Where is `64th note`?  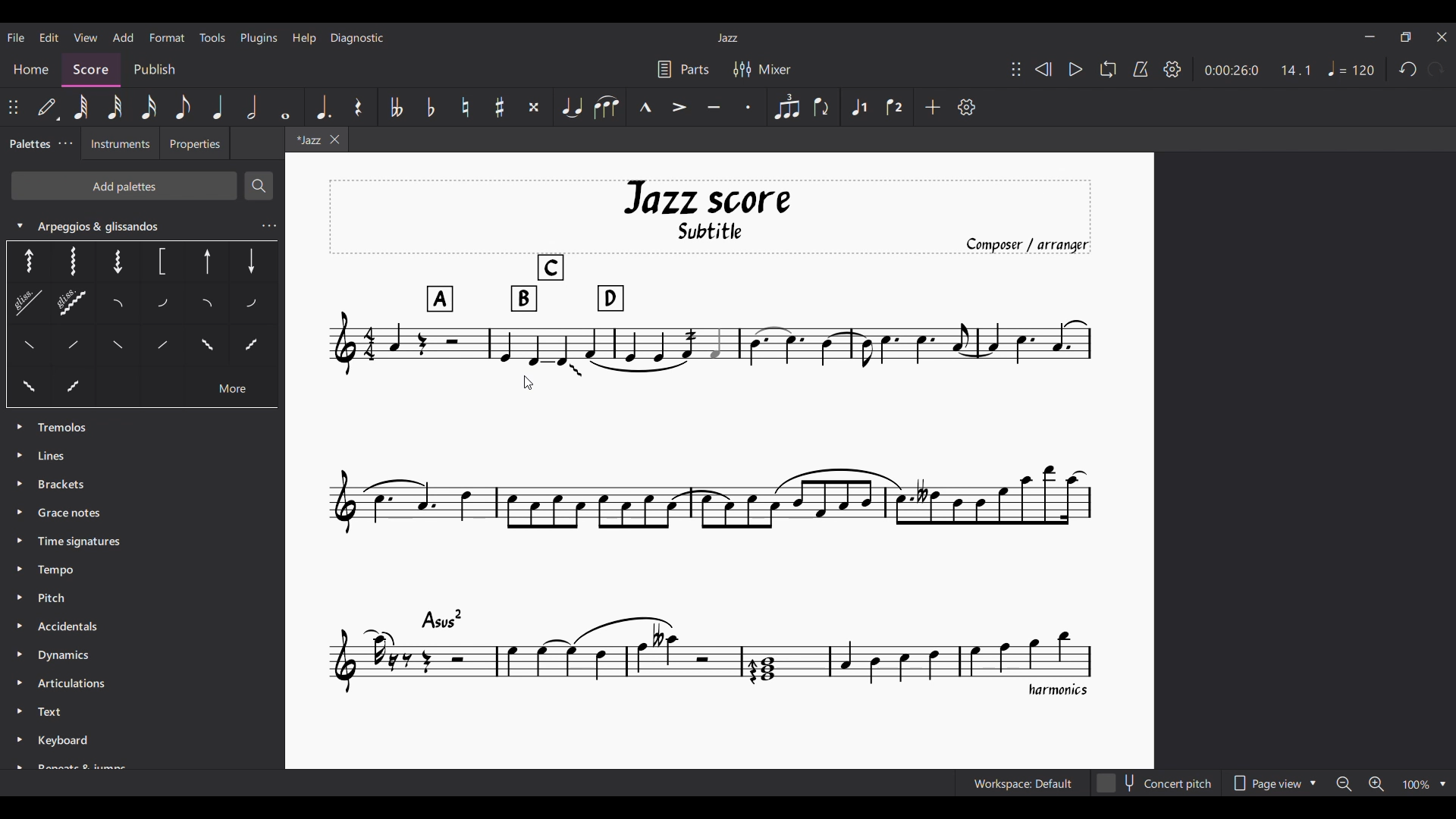
64th note is located at coordinates (80, 106).